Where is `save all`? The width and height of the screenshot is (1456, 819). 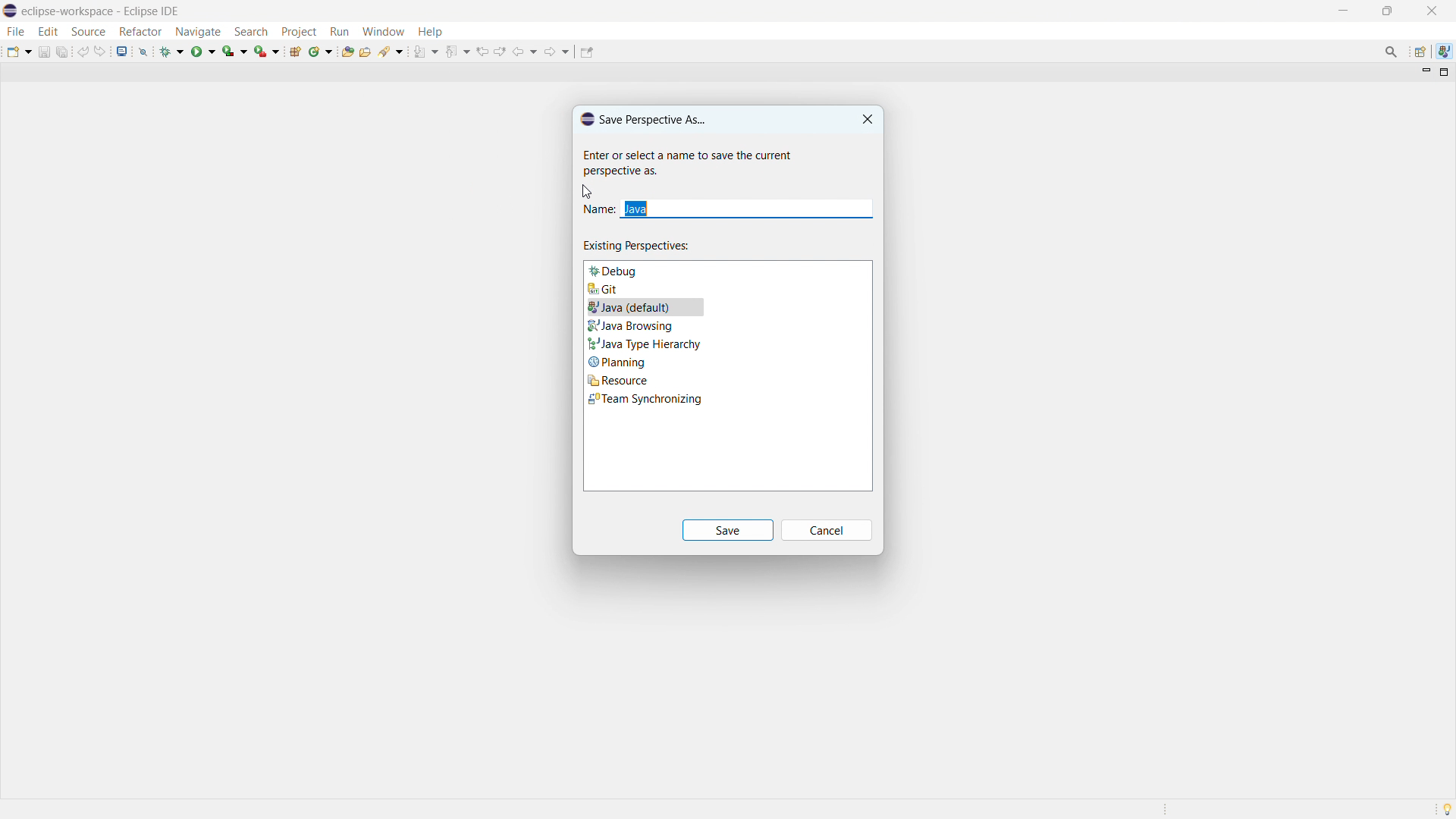
save all is located at coordinates (63, 51).